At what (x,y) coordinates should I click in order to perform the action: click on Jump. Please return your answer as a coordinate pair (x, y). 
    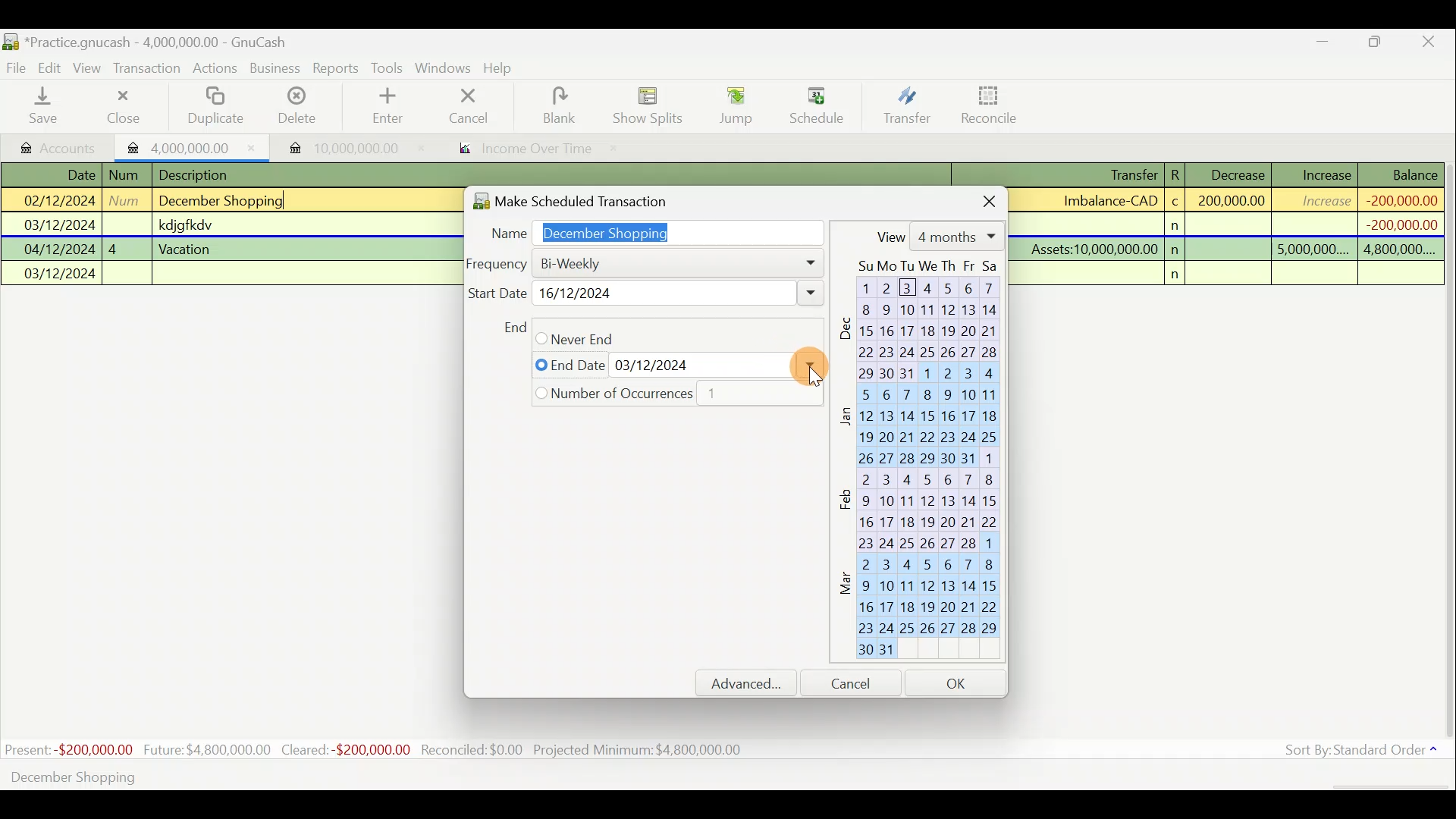
    Looking at the image, I should click on (731, 105).